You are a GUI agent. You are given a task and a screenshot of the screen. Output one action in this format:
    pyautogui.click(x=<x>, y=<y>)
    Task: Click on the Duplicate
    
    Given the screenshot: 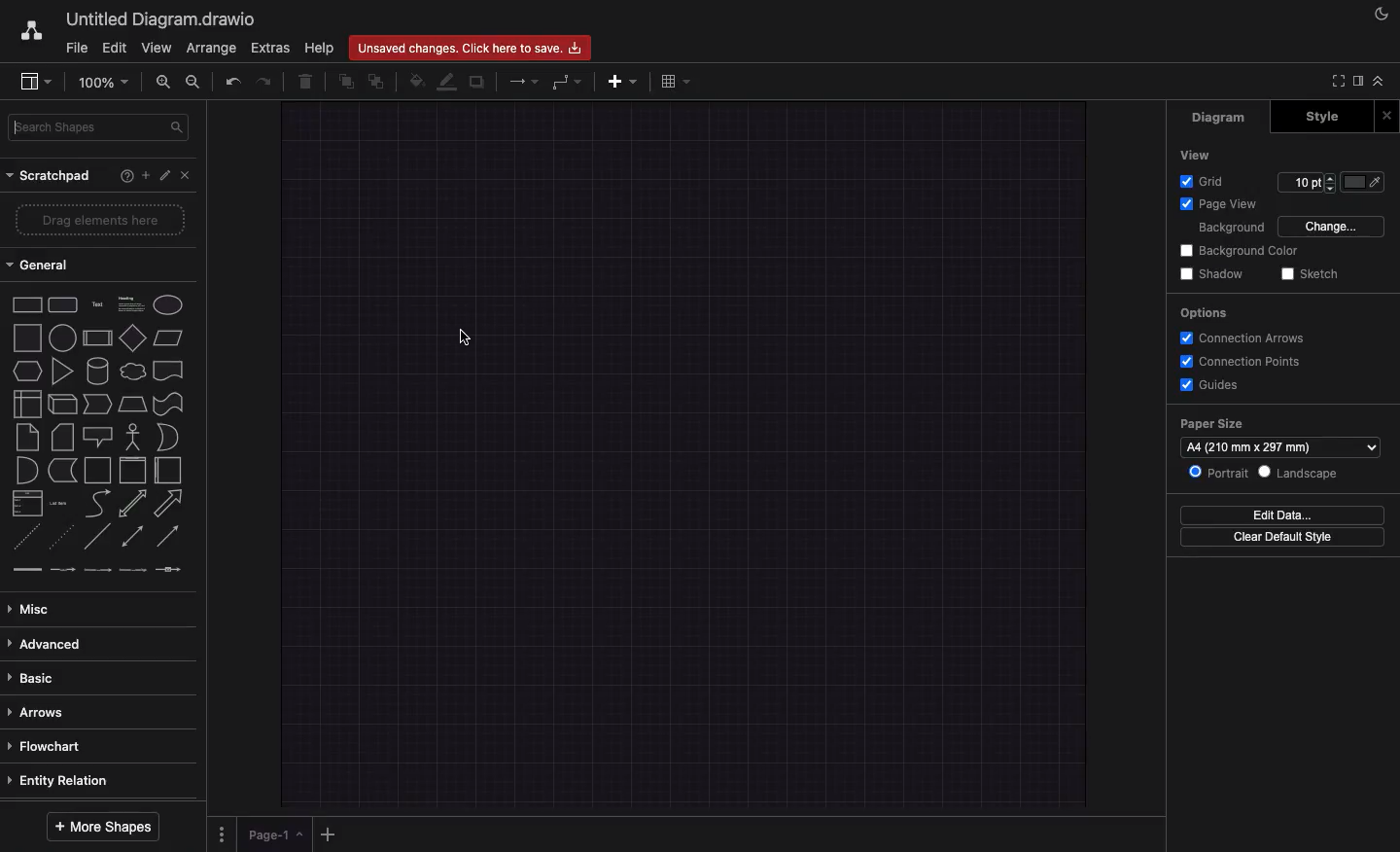 What is the action you would take?
    pyautogui.click(x=478, y=83)
    